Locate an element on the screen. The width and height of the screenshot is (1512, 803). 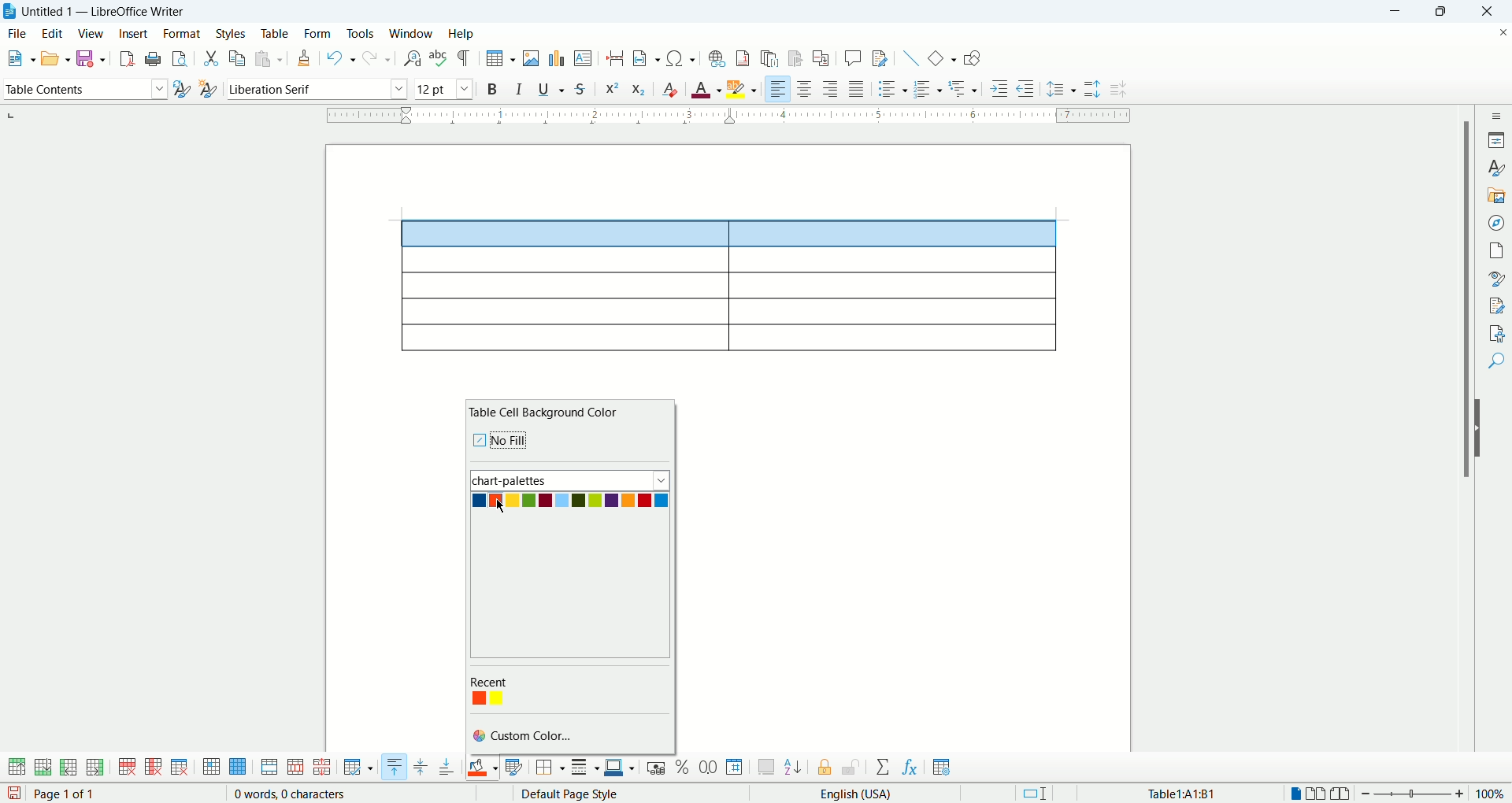
cursor is located at coordinates (502, 509).